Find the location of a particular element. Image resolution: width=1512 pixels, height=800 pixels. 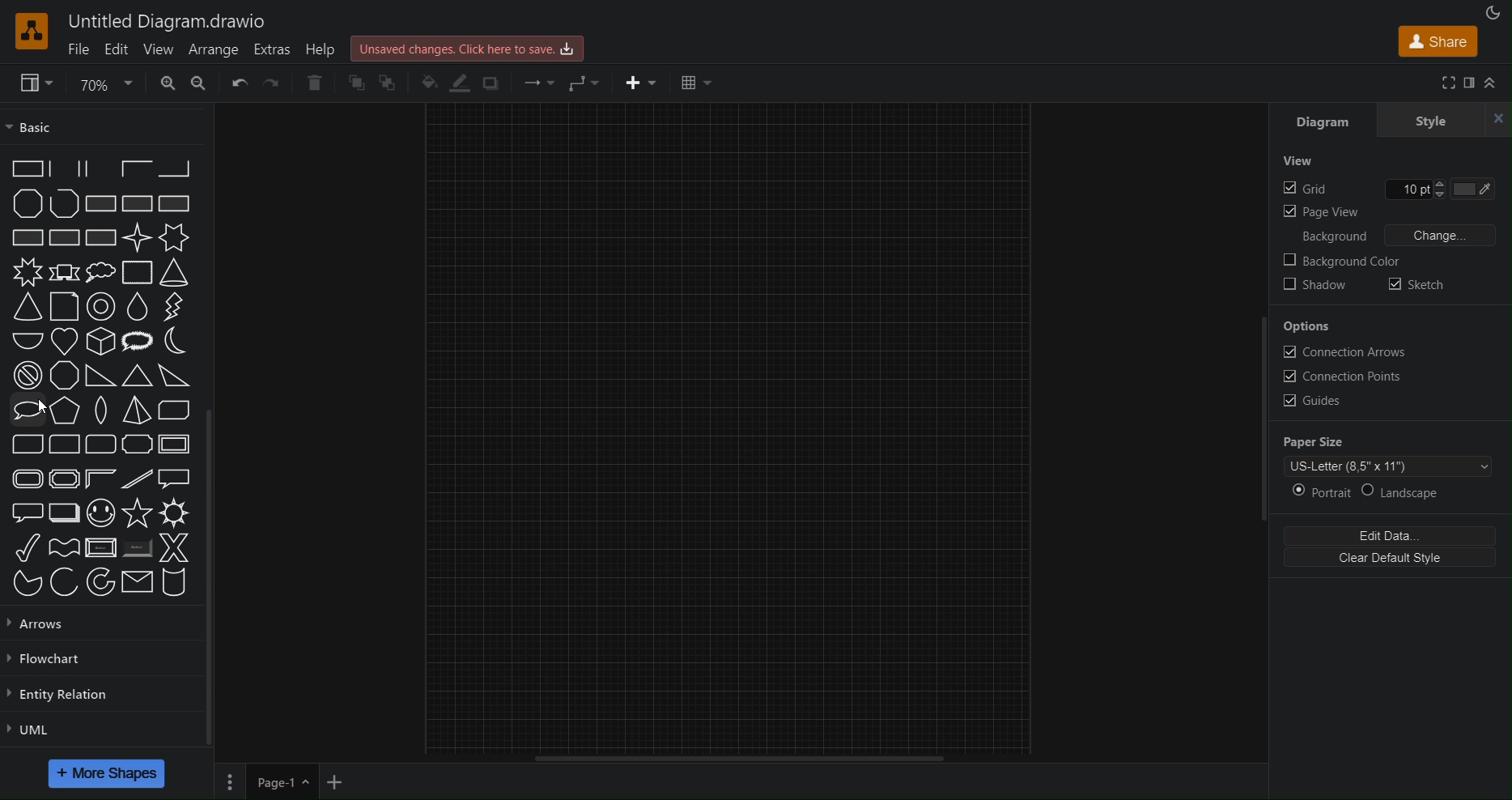

Change is located at coordinates (1442, 235).